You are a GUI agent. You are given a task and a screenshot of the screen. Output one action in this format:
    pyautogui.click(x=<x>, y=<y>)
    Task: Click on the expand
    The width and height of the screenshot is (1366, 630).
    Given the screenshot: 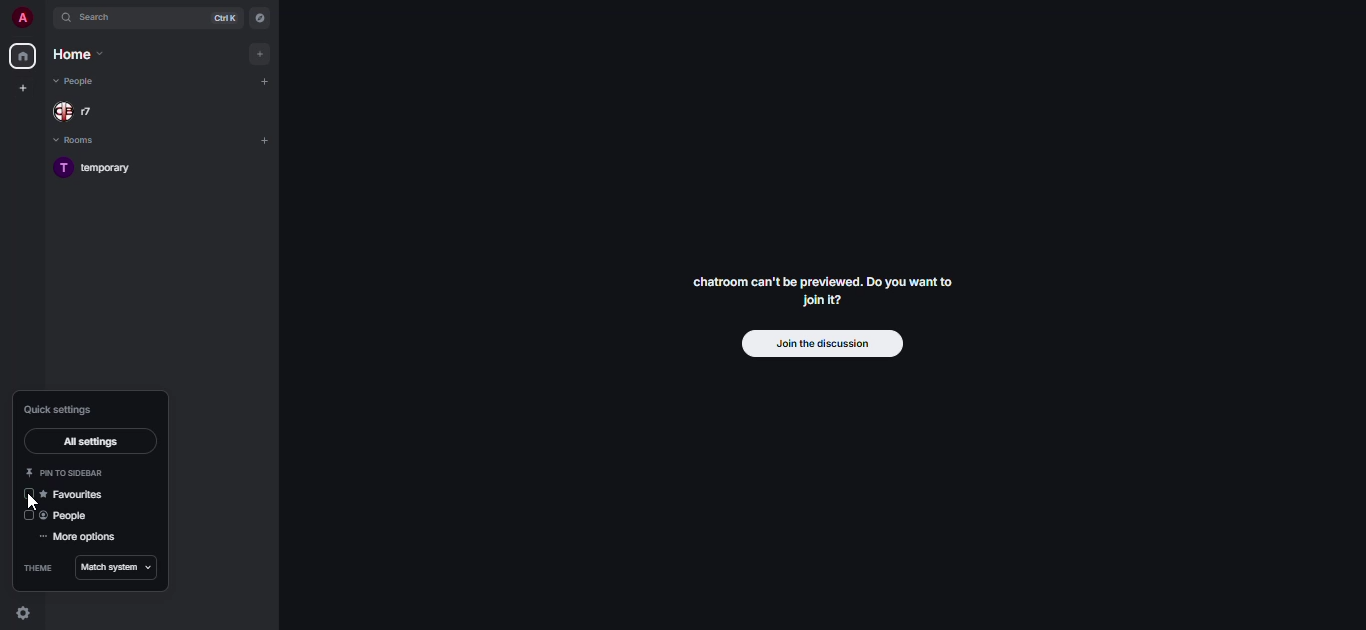 What is the action you would take?
    pyautogui.click(x=42, y=18)
    